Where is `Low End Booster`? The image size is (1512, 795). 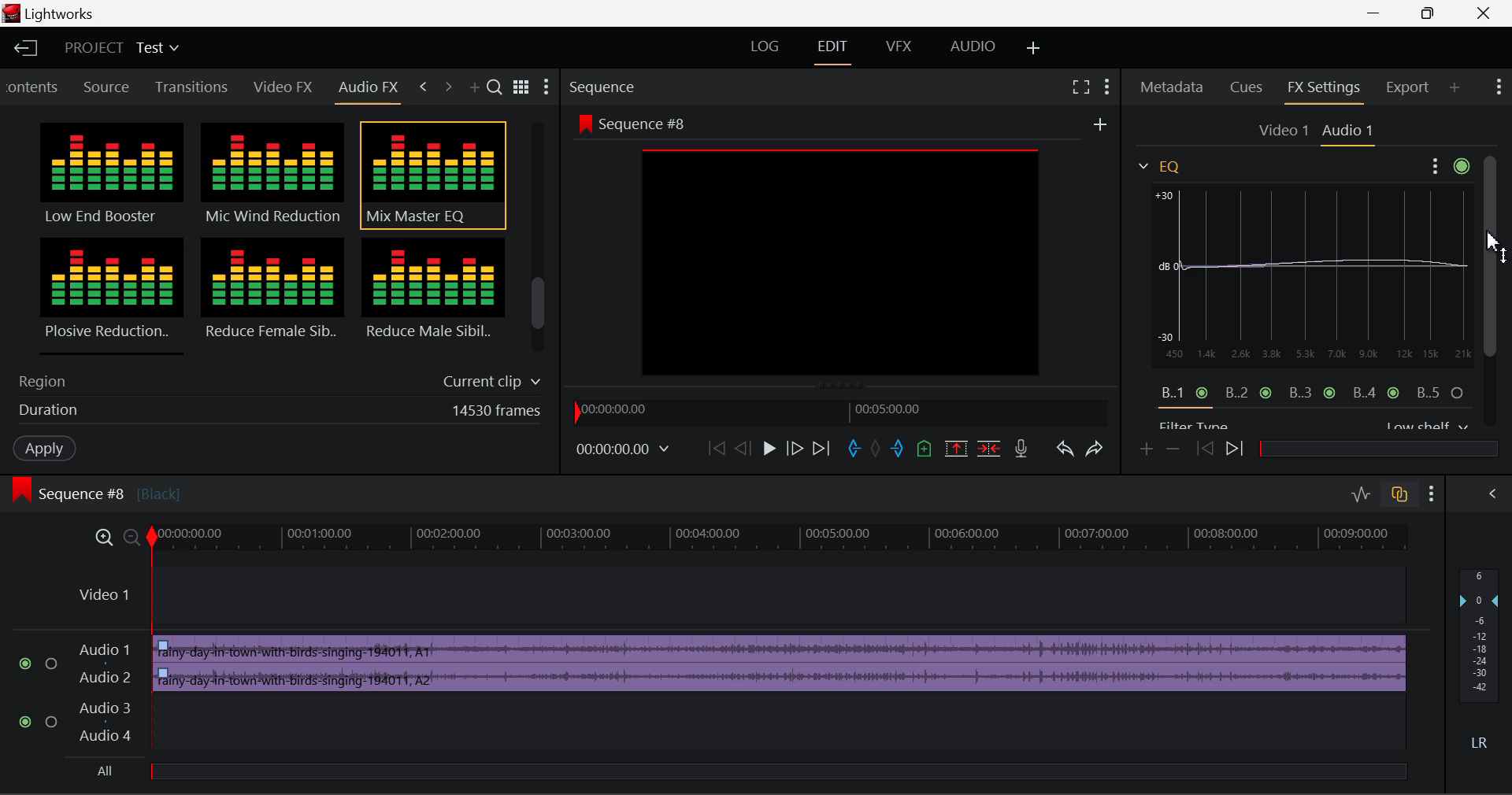 Low End Booster is located at coordinates (109, 175).